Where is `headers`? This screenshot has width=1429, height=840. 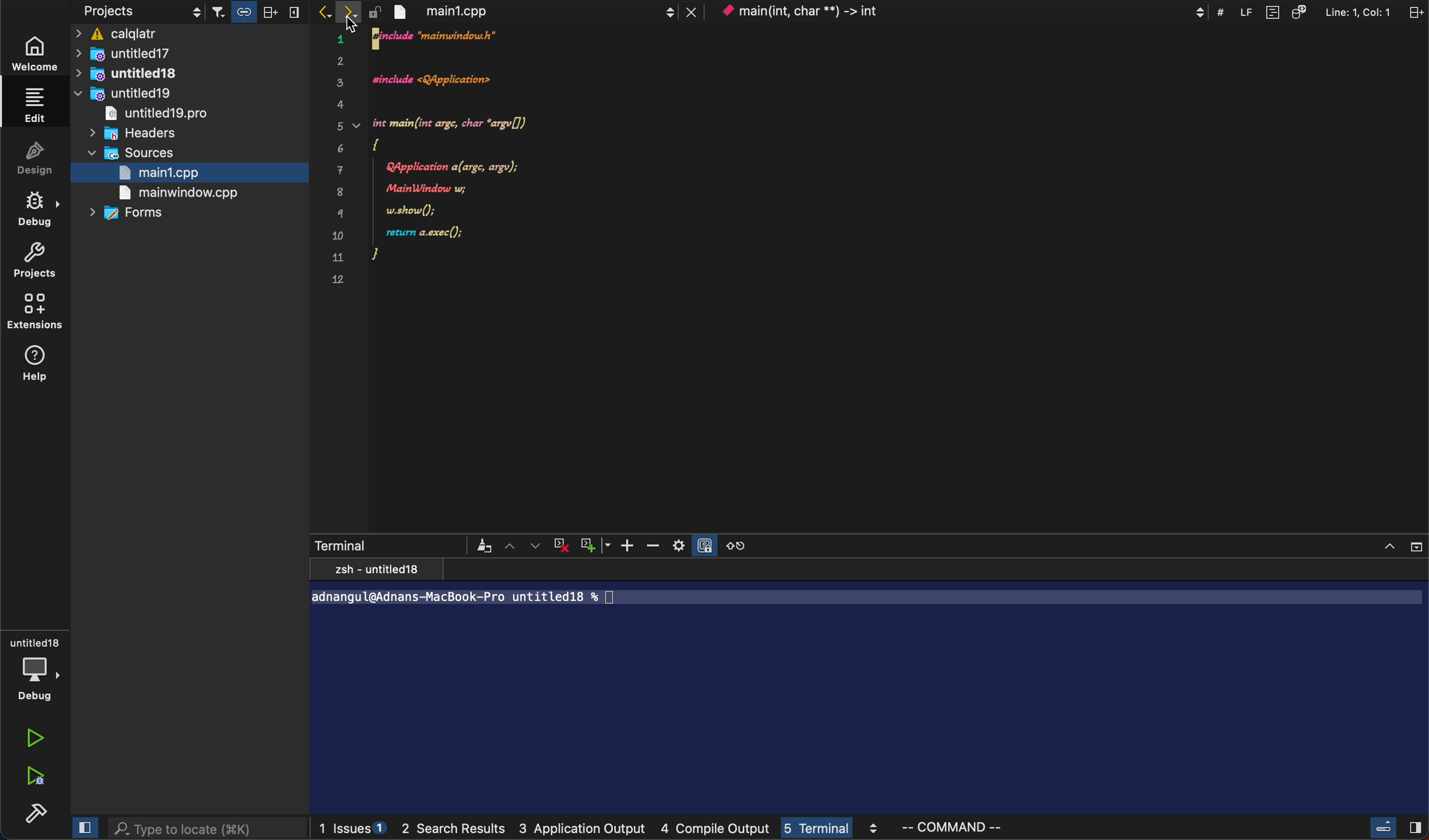
headers is located at coordinates (138, 134).